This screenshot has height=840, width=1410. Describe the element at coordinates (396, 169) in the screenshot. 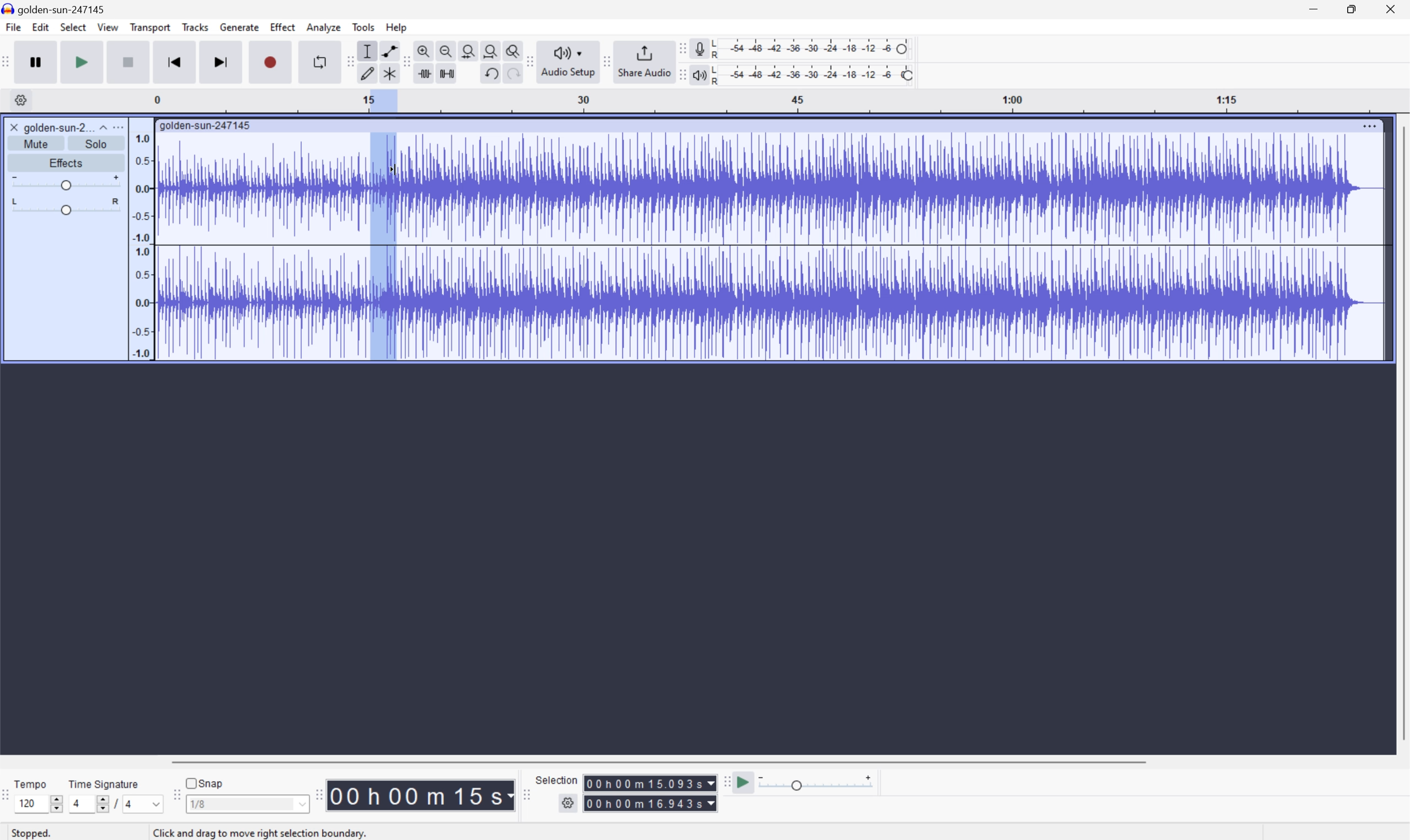

I see `Cursor` at that location.